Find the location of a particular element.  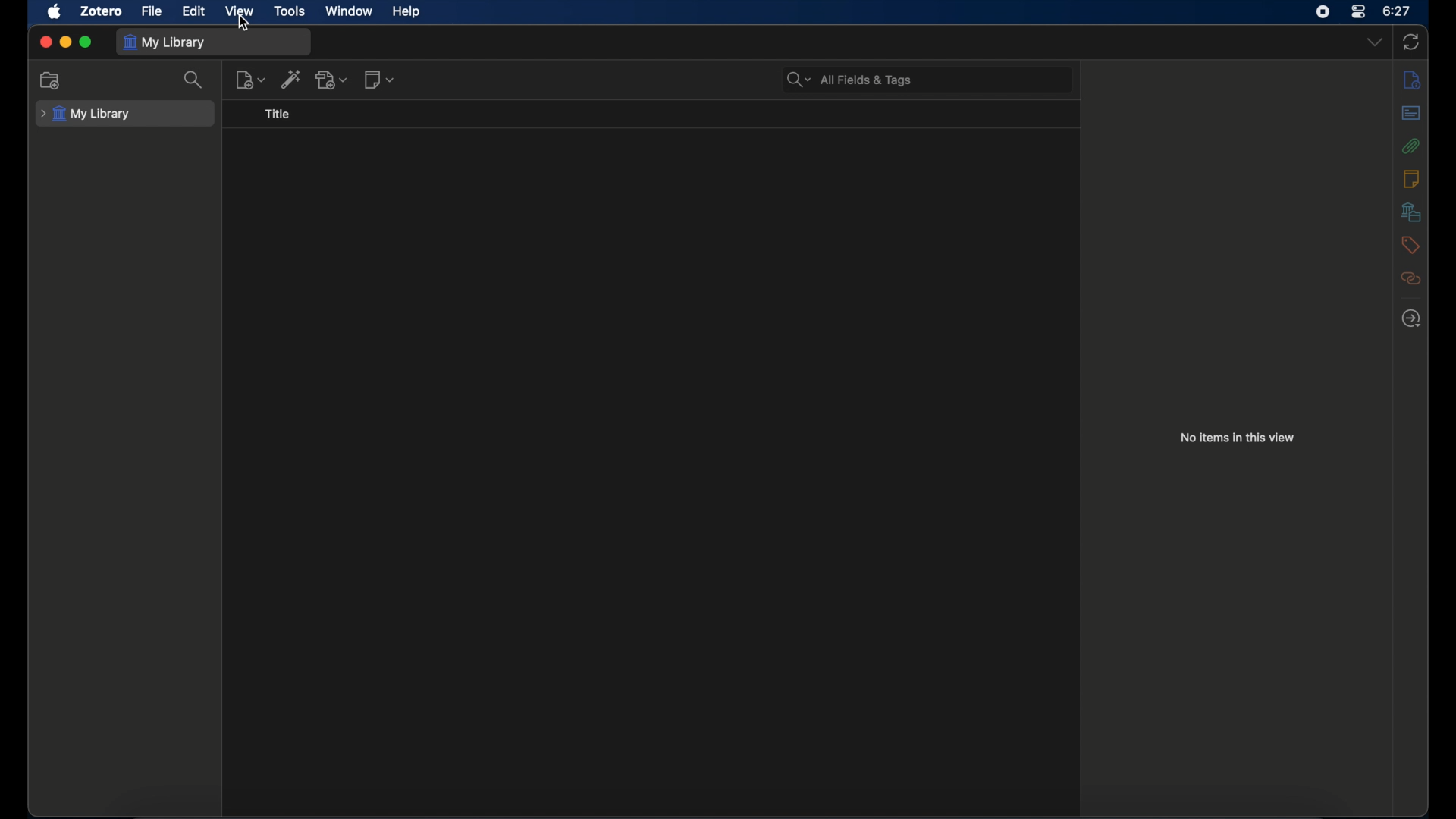

view is located at coordinates (240, 10).